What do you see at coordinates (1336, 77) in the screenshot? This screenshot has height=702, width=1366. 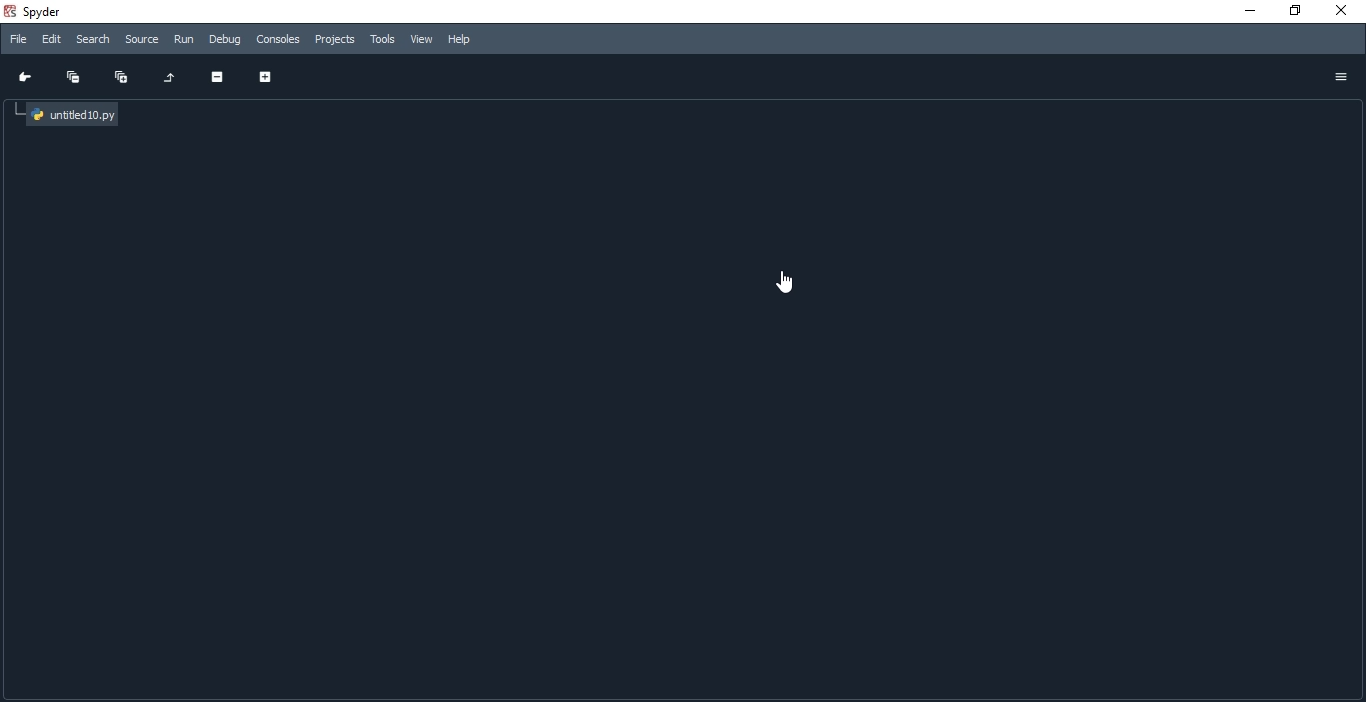 I see `Options` at bounding box center [1336, 77].